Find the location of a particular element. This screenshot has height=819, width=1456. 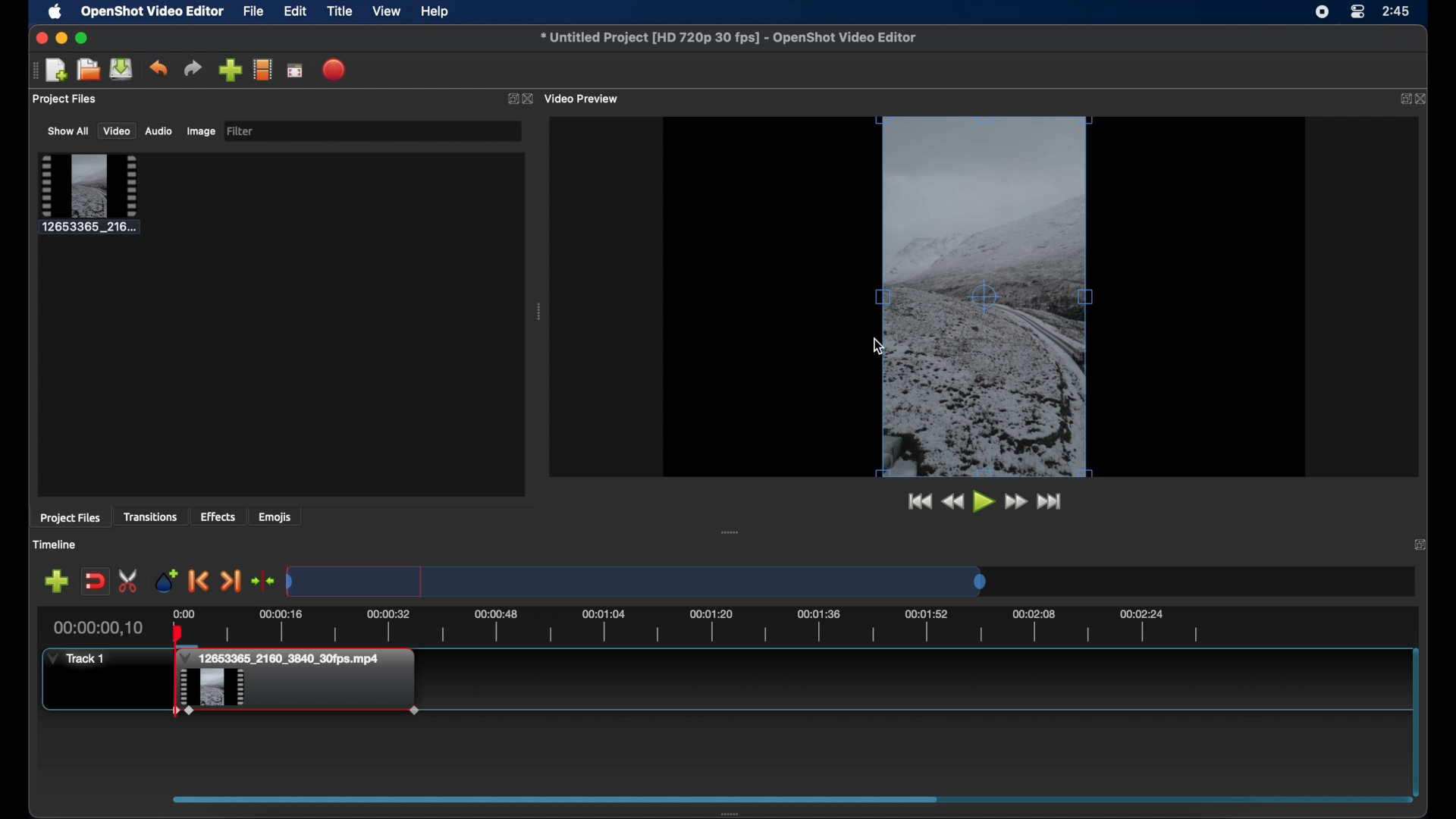

apple icon is located at coordinates (55, 12).